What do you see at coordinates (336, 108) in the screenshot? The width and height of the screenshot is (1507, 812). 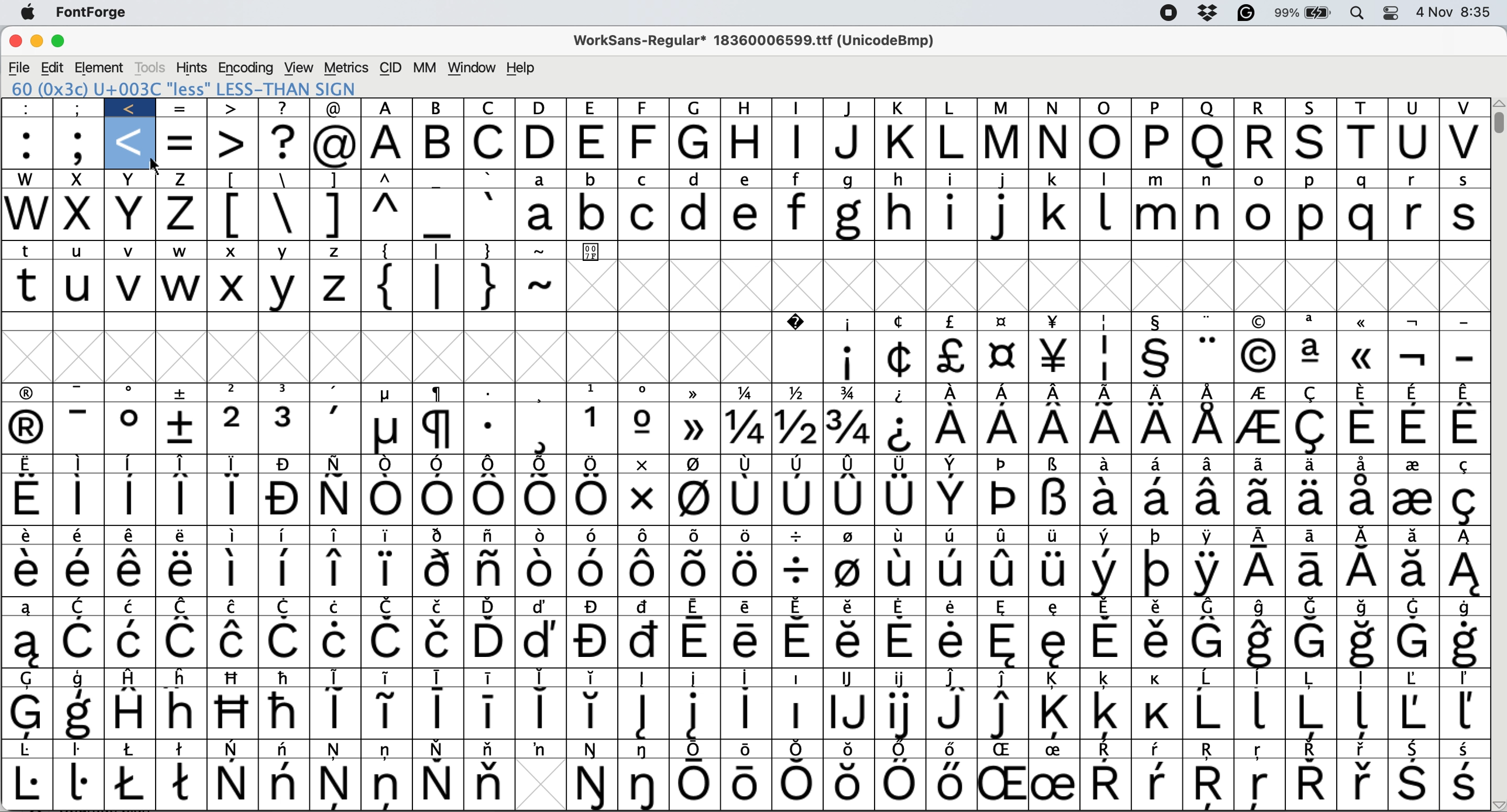 I see `@` at bounding box center [336, 108].